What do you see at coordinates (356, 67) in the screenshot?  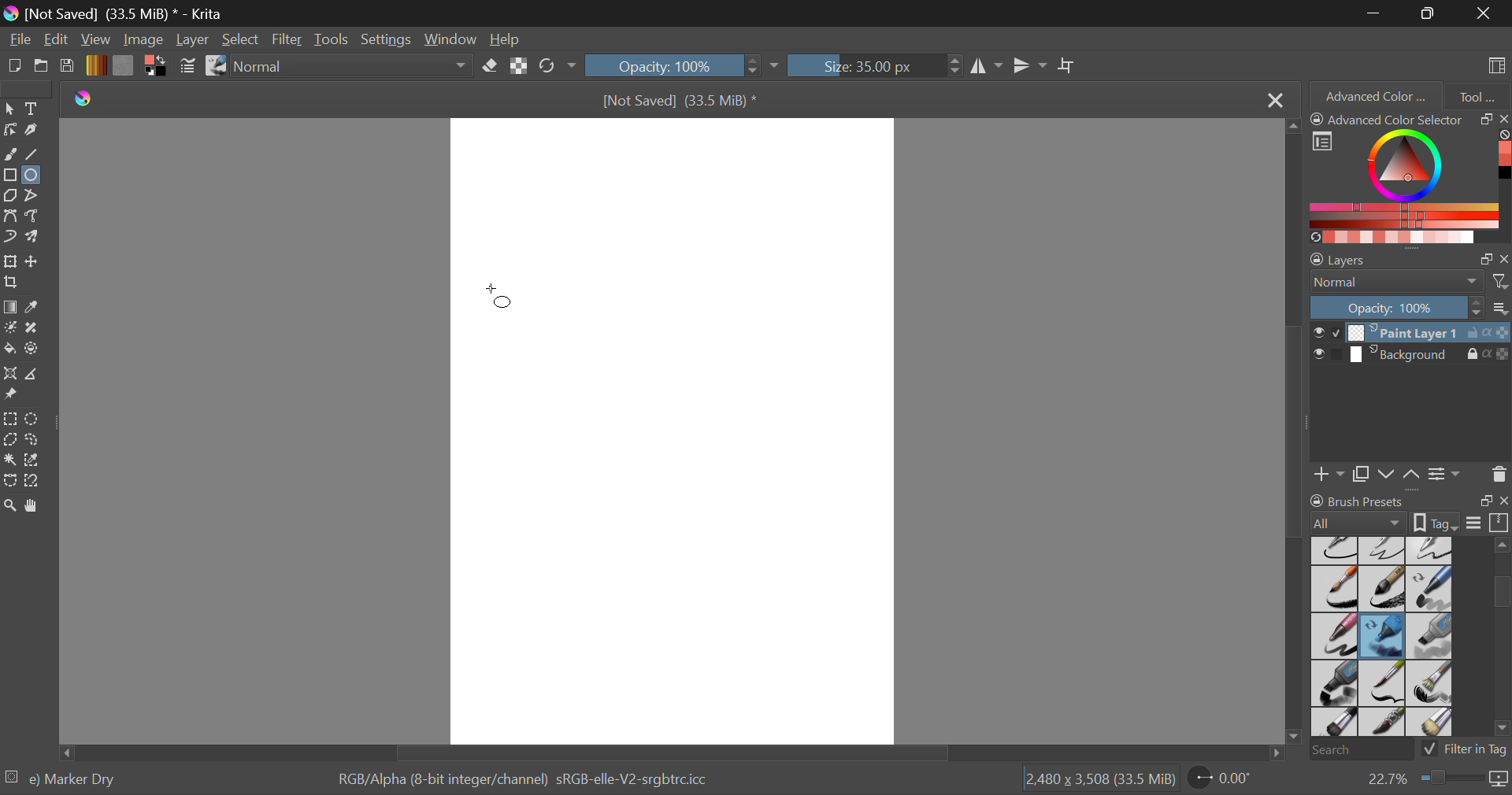 I see `Blending Mode` at bounding box center [356, 67].